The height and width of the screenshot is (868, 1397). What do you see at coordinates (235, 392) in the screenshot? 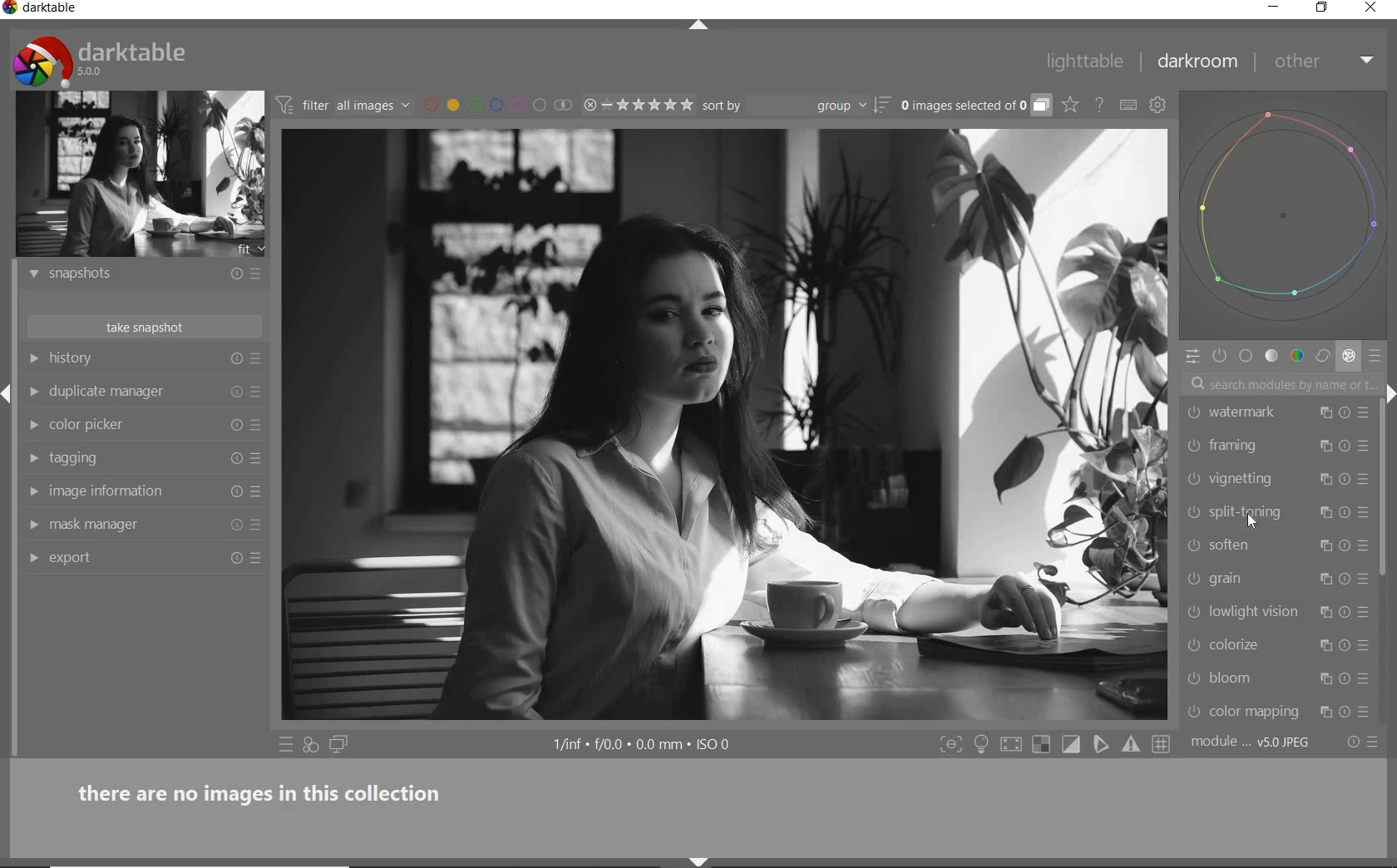
I see `reset` at bounding box center [235, 392].